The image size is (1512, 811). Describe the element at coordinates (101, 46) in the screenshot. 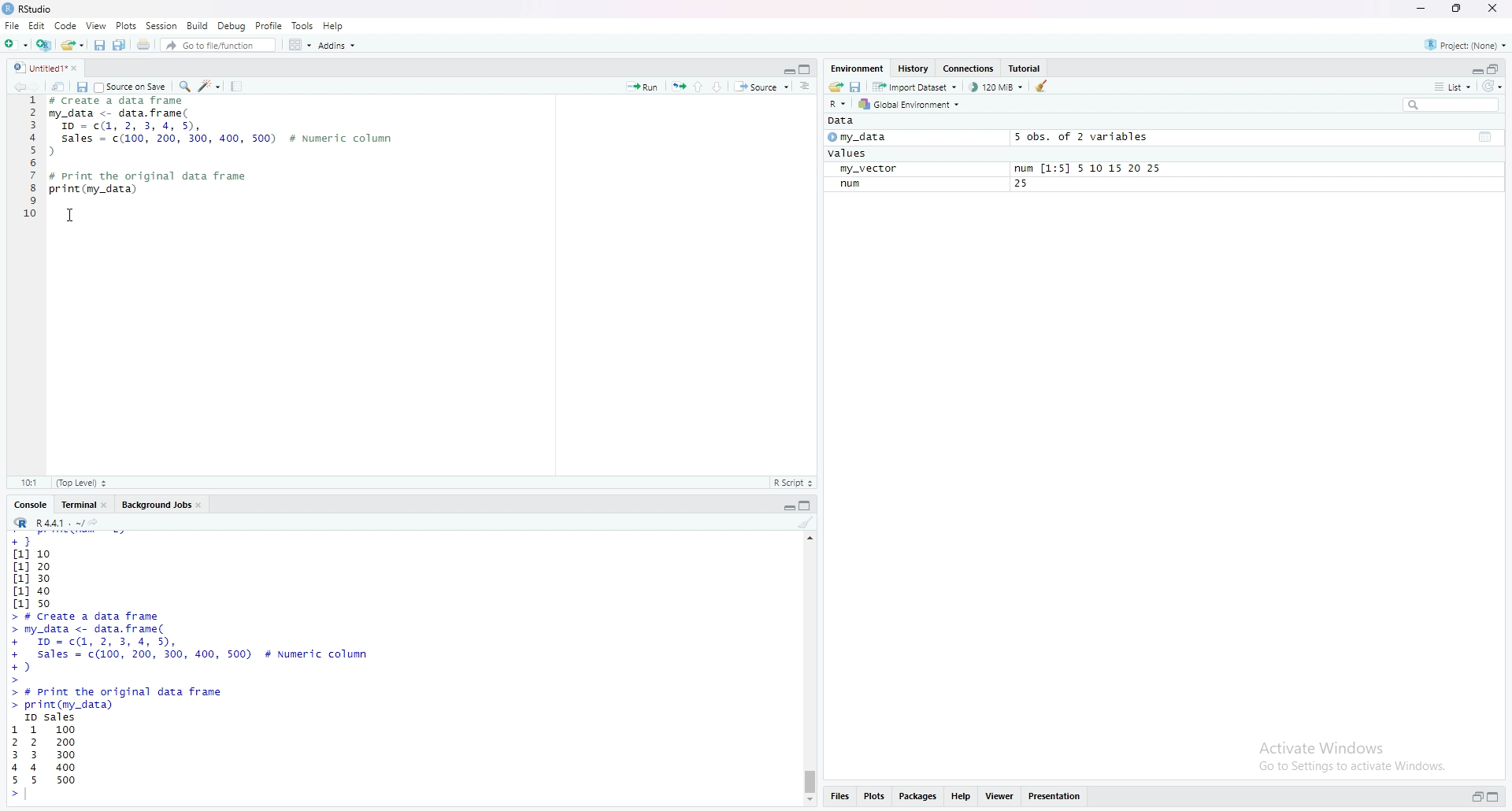

I see `save current document` at that location.